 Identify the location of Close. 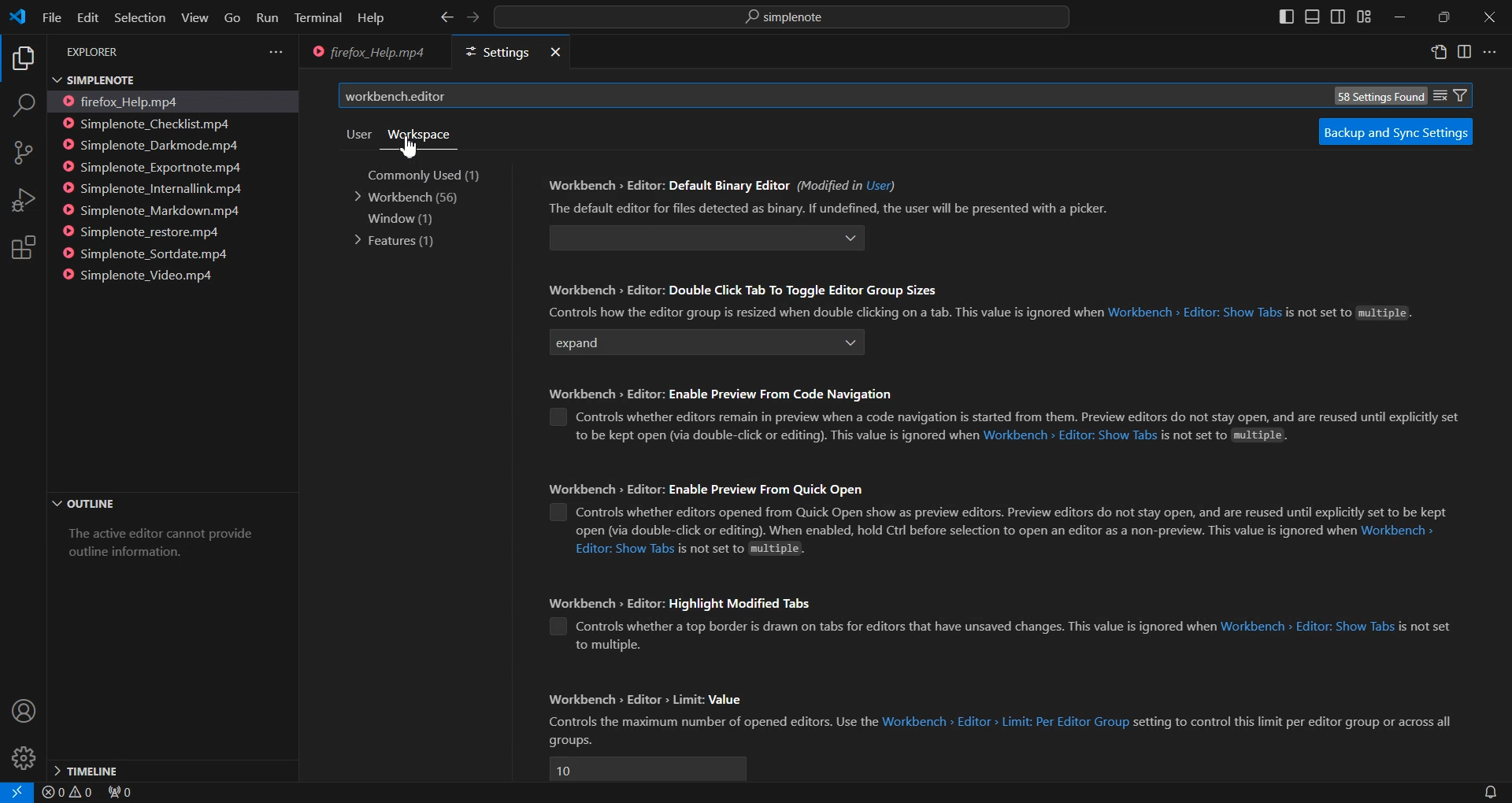
(1489, 18).